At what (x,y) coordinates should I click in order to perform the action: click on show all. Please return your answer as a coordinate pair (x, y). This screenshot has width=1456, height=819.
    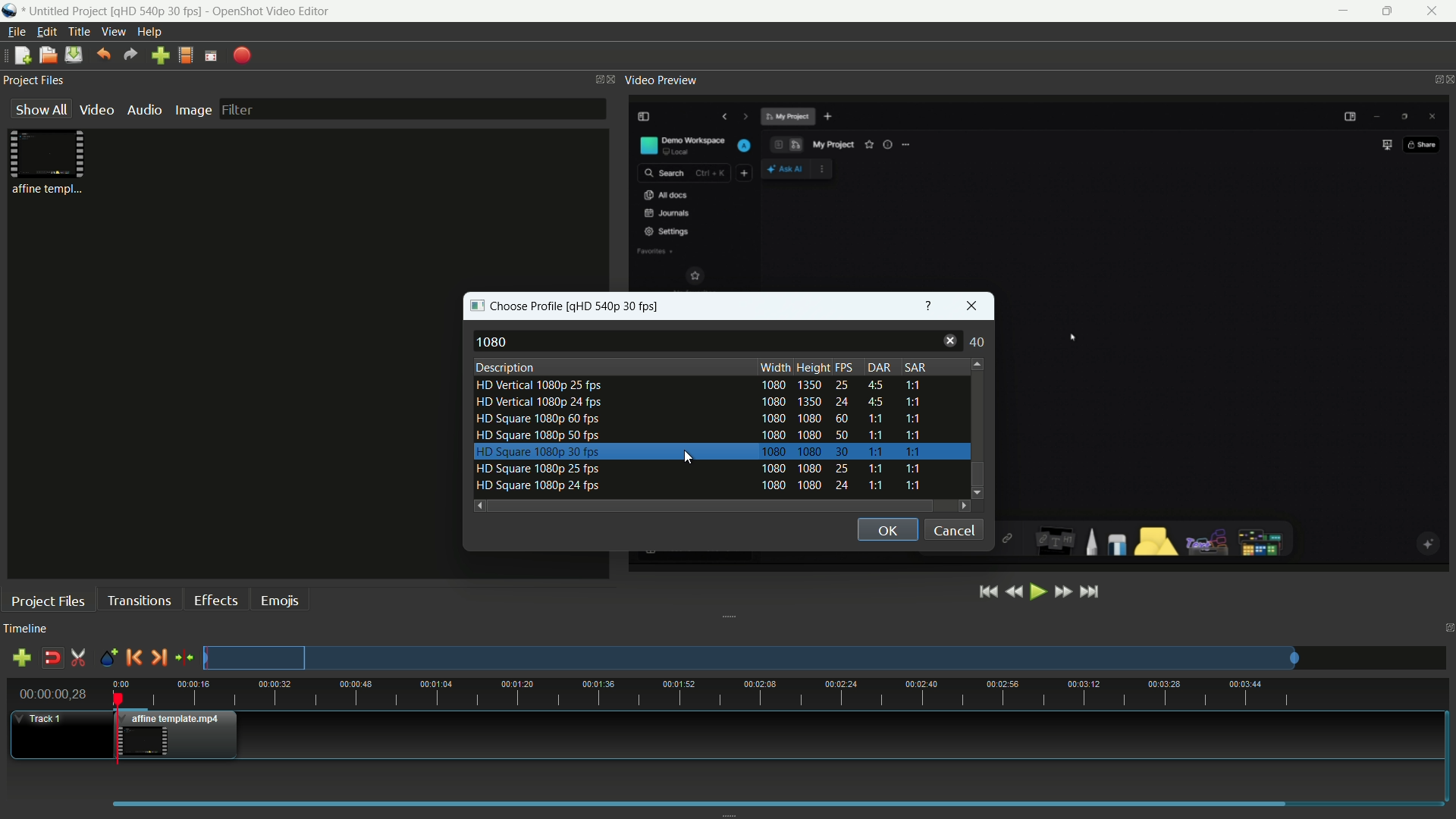
    Looking at the image, I should click on (41, 108).